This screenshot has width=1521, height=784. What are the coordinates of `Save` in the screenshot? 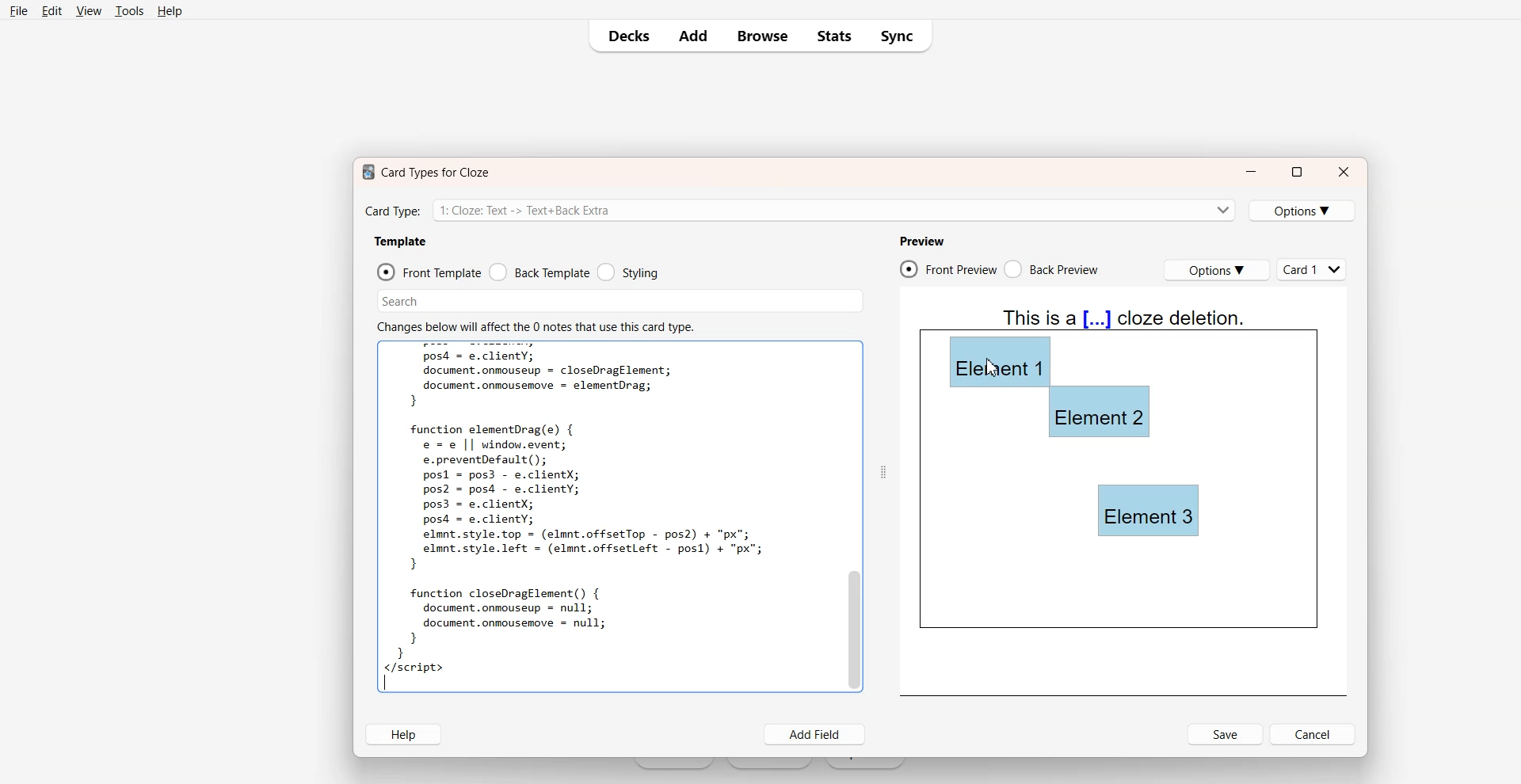 It's located at (1226, 734).